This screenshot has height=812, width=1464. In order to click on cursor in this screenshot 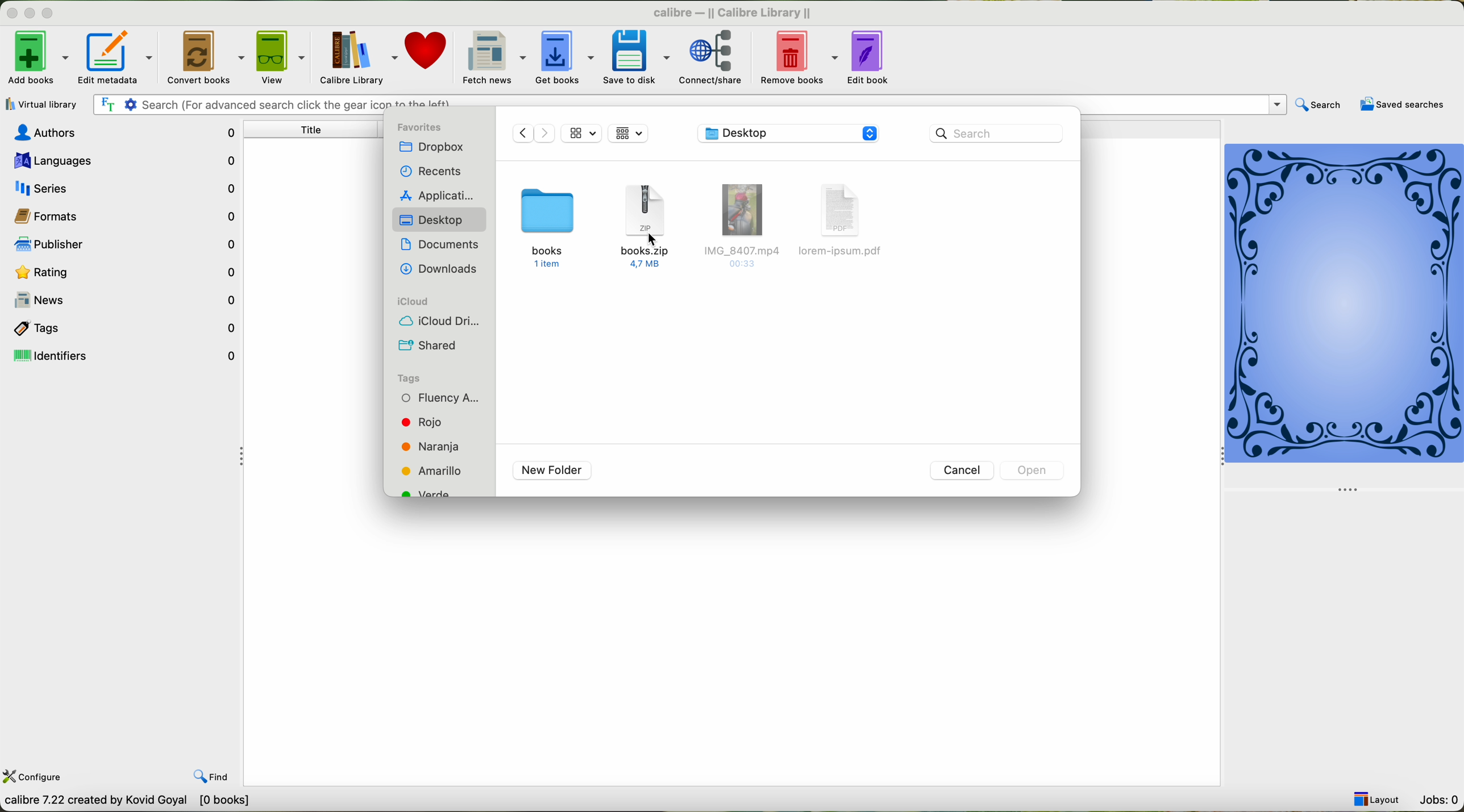, I will do `click(655, 239)`.